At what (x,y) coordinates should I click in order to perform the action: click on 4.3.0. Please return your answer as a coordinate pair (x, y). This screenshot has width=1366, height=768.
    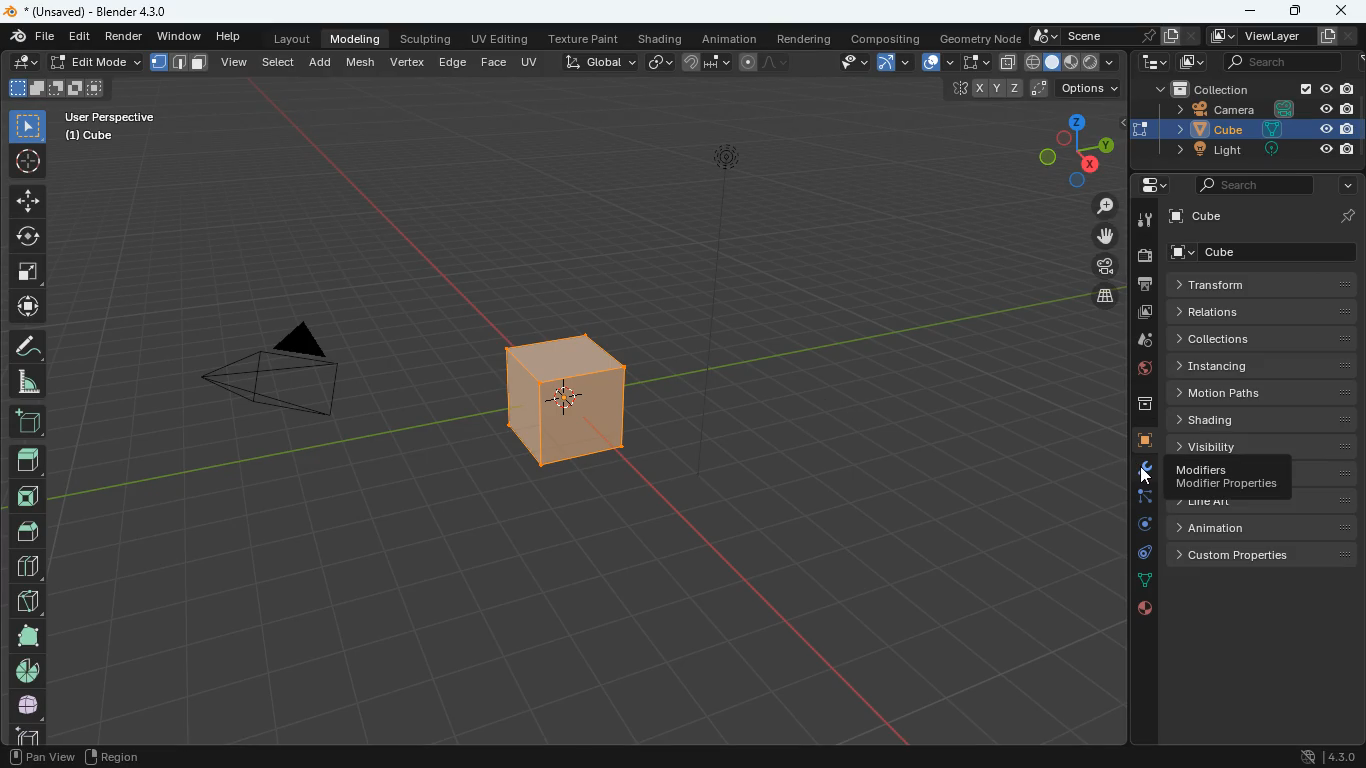
    Looking at the image, I should click on (1323, 756).